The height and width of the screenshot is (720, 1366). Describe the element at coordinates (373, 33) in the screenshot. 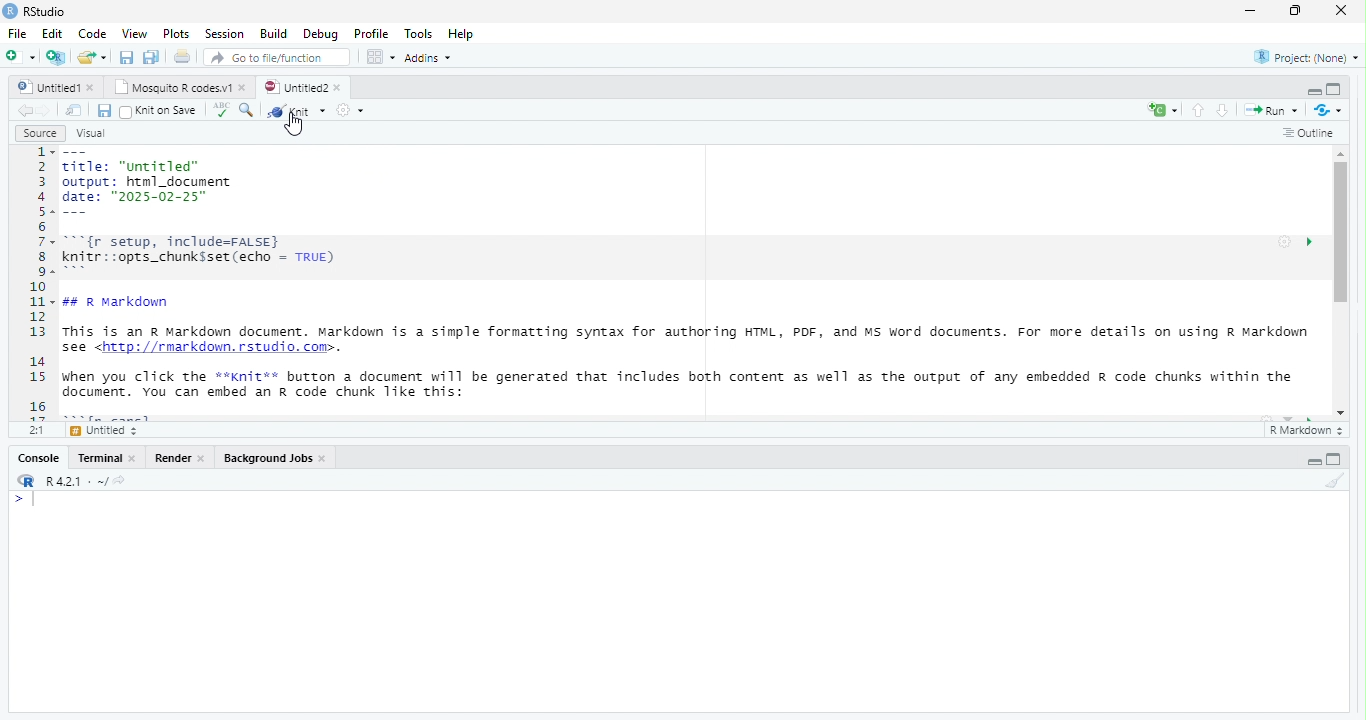

I see `Profile` at that location.